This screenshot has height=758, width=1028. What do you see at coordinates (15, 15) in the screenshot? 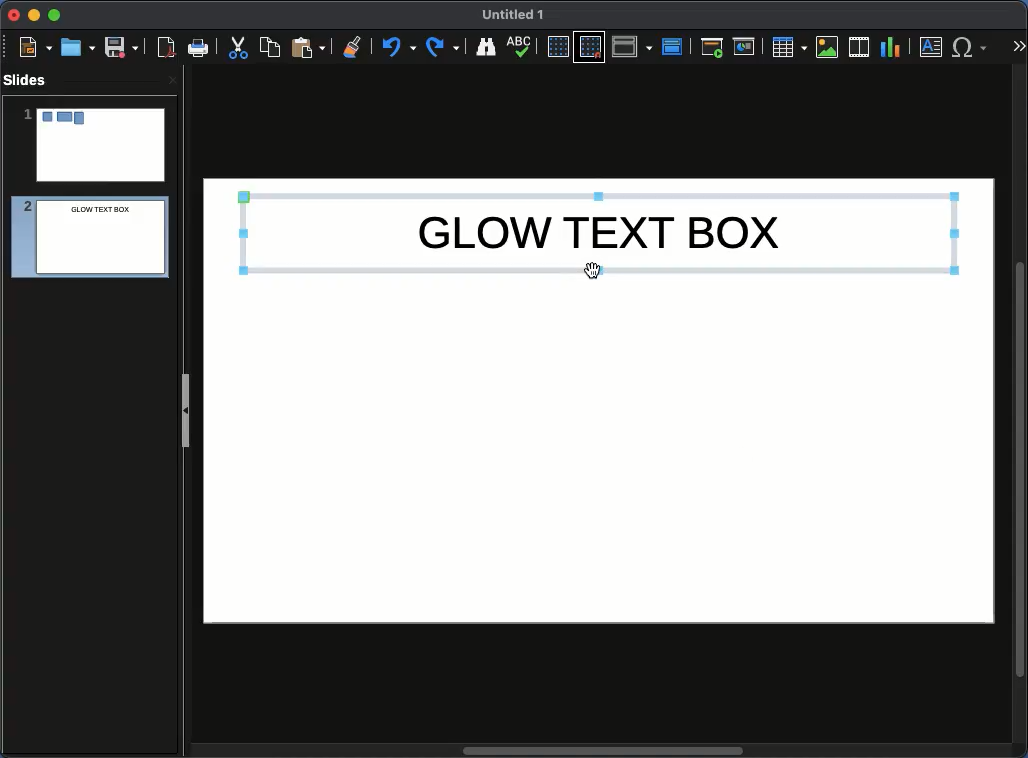
I see `Close` at bounding box center [15, 15].